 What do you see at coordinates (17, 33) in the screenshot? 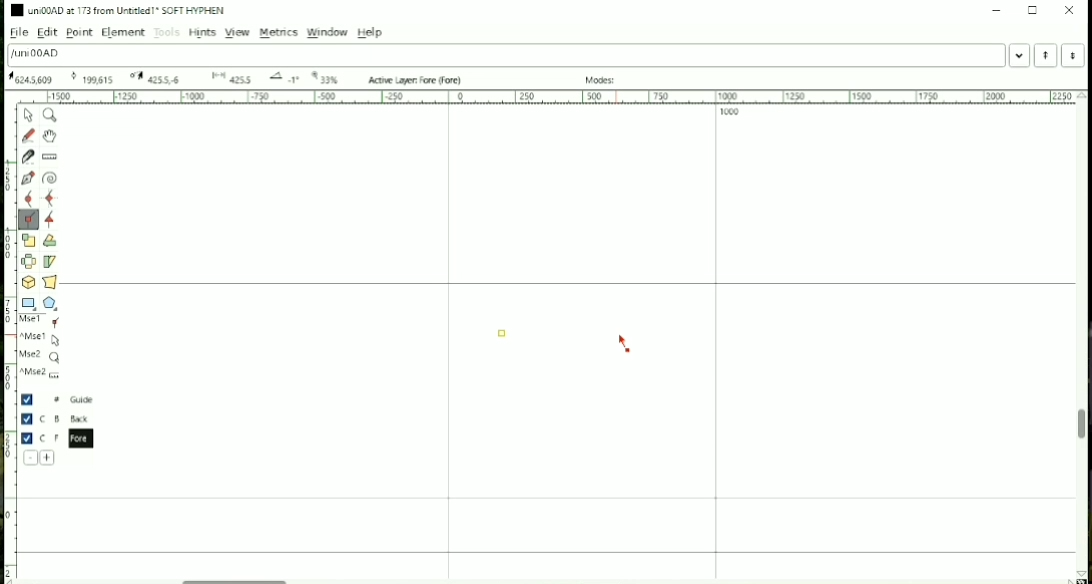
I see `File` at bounding box center [17, 33].